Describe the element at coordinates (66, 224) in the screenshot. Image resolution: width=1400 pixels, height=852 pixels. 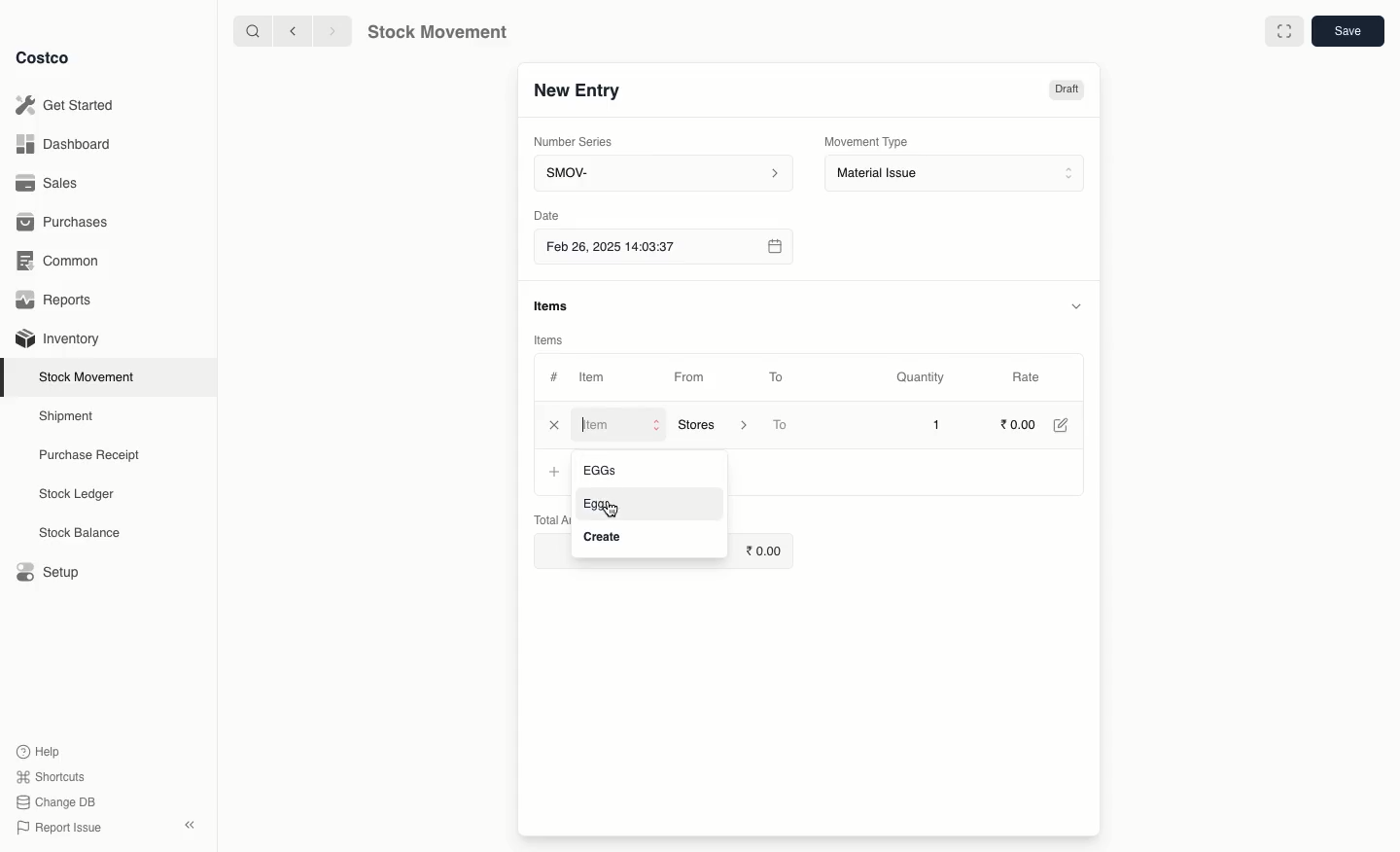
I see `Purchases` at that location.